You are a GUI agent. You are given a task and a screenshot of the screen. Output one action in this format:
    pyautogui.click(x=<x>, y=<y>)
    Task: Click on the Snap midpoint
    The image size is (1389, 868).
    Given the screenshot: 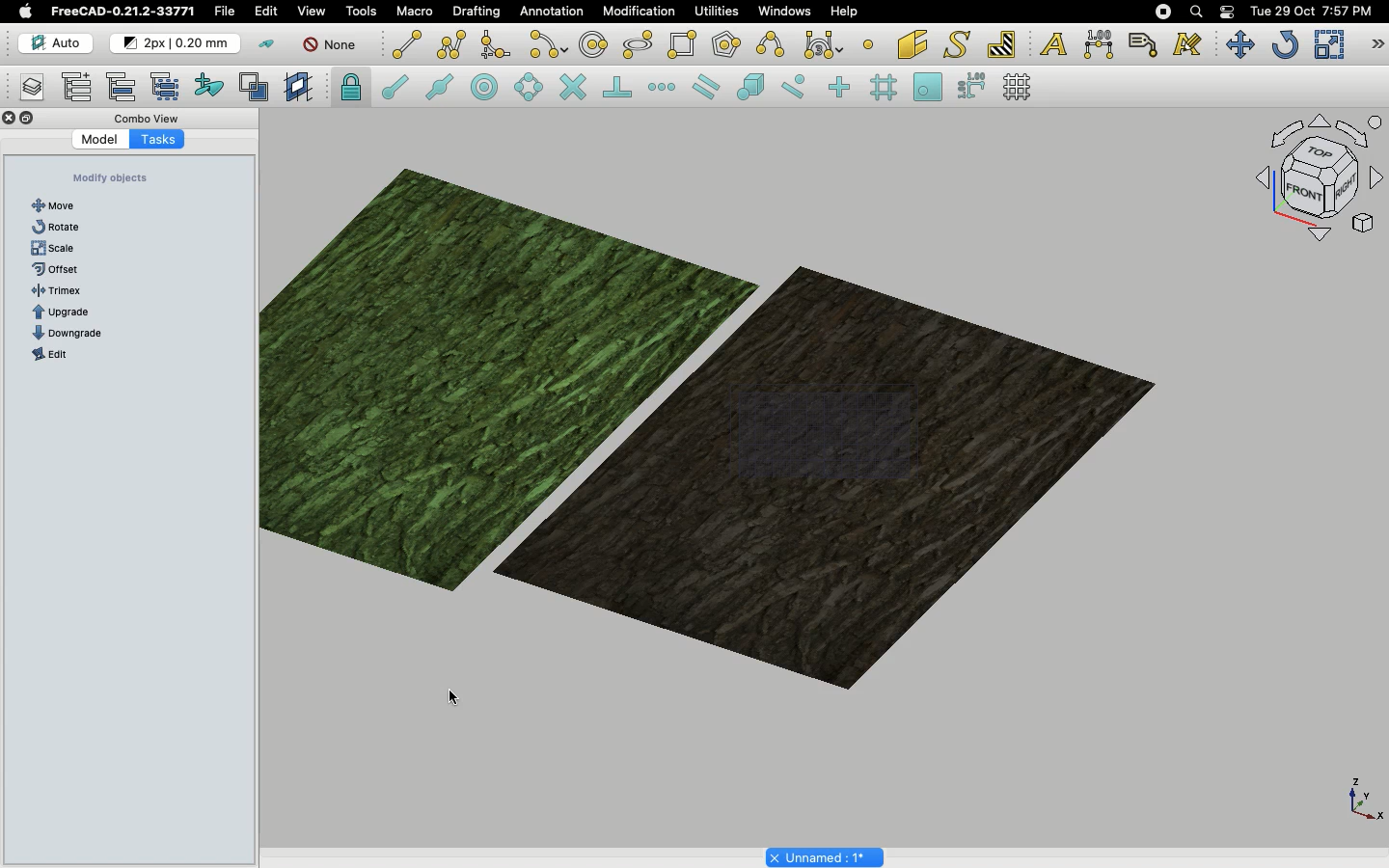 What is the action you would take?
    pyautogui.click(x=441, y=90)
    